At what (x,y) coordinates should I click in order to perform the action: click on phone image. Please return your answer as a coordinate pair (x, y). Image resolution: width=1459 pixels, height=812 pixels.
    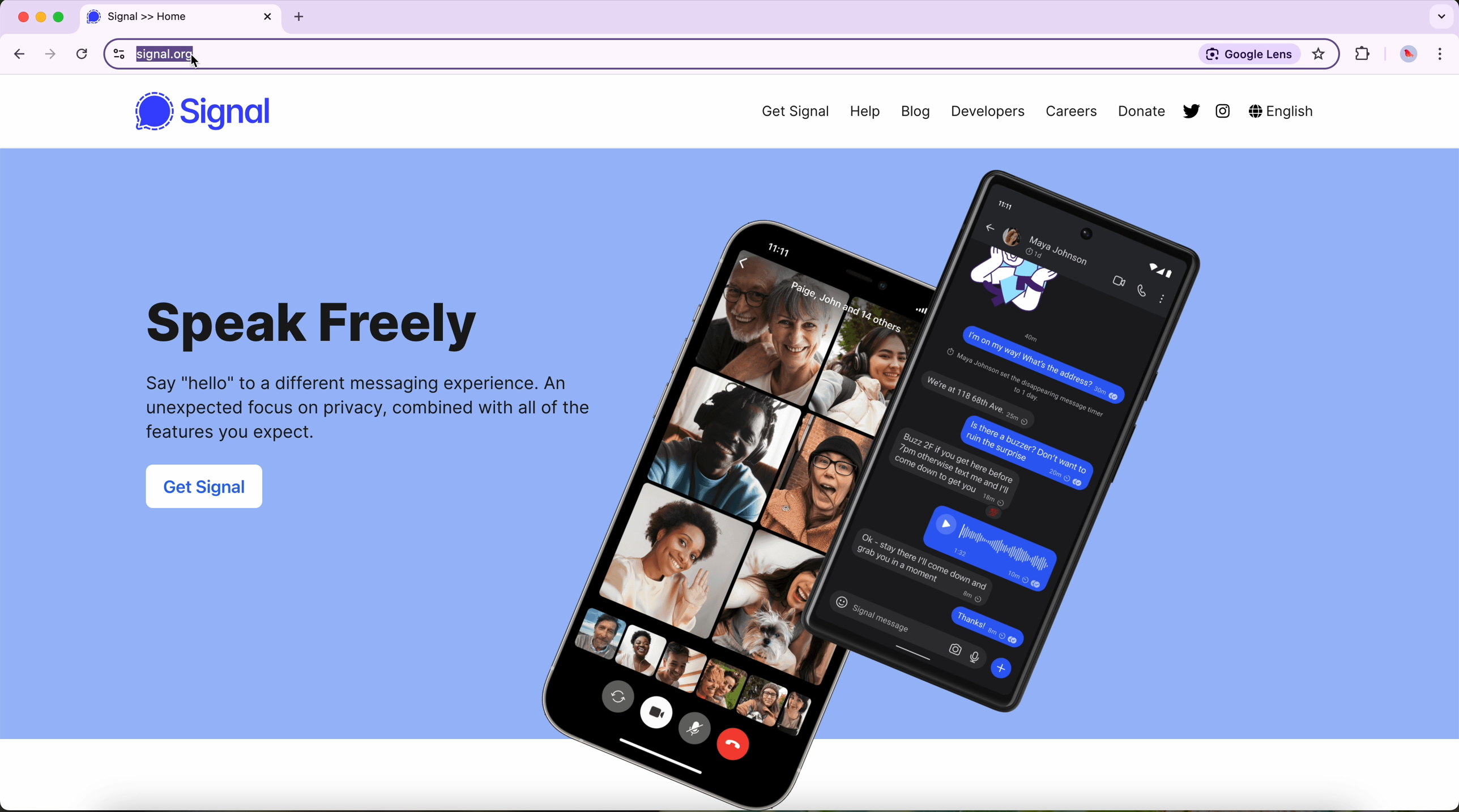
    Looking at the image, I should click on (910, 483).